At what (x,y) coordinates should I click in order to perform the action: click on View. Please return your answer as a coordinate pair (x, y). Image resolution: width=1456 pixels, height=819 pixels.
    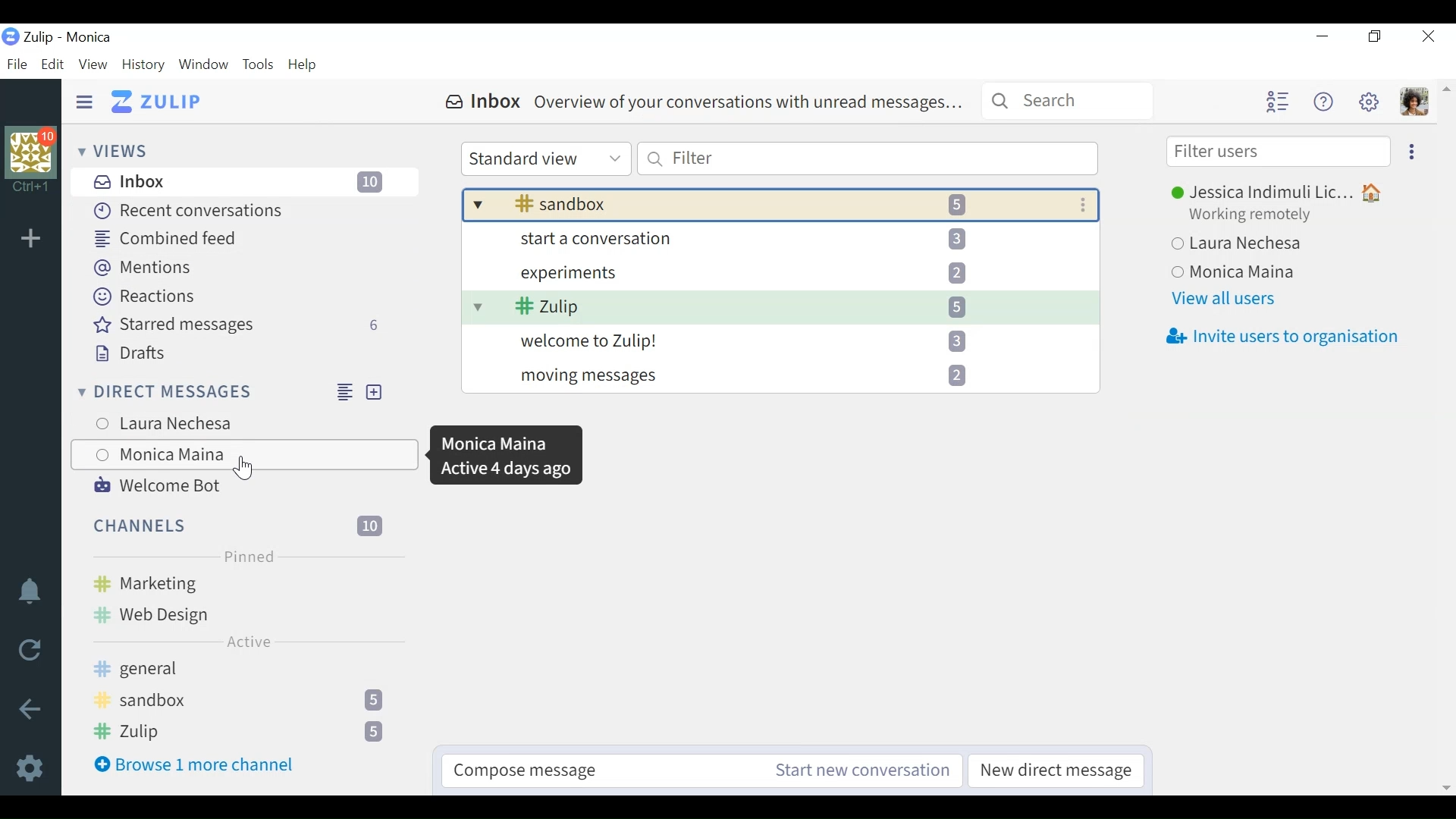
    Looking at the image, I should click on (93, 65).